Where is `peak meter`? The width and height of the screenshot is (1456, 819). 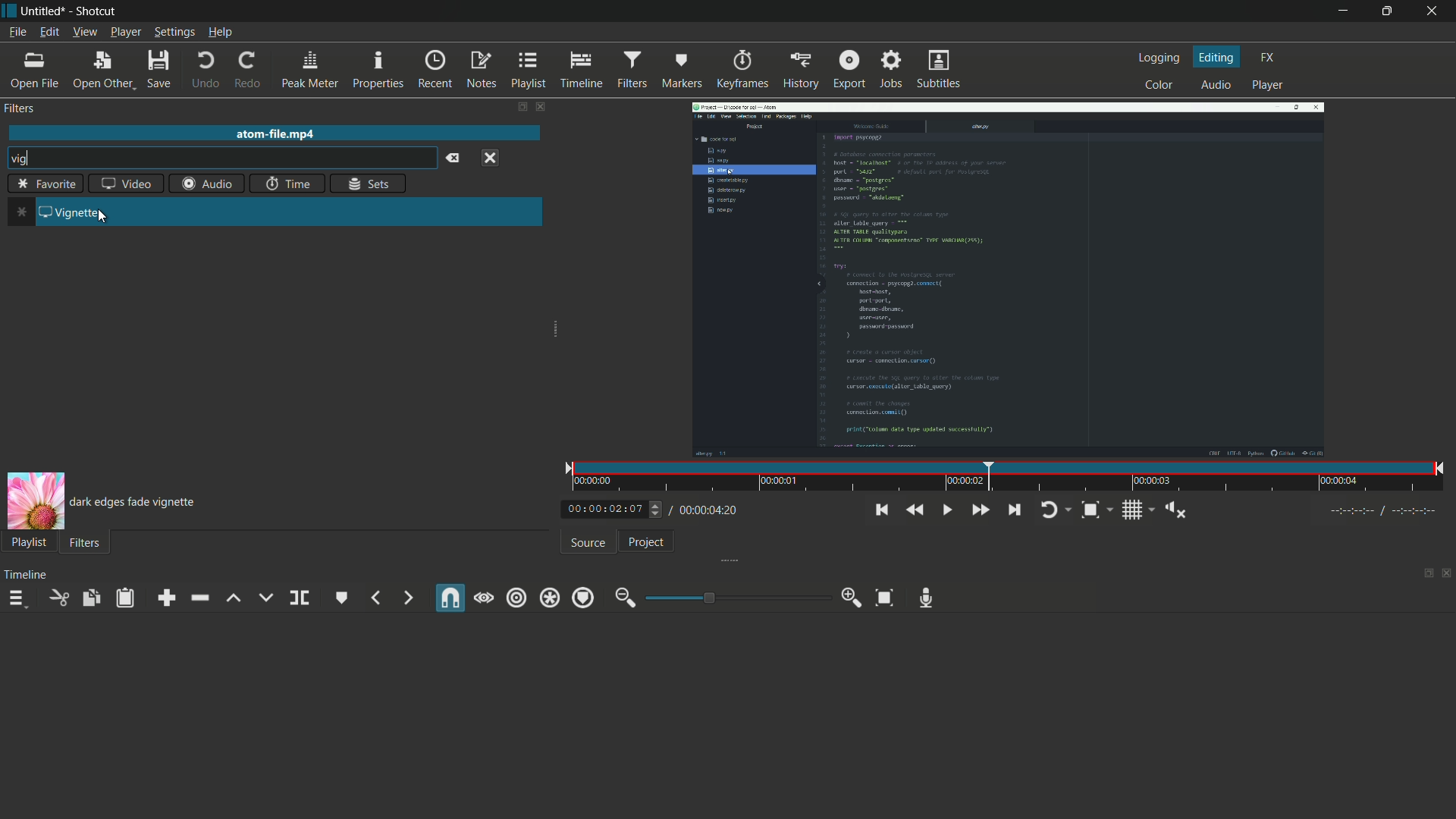
peak meter is located at coordinates (309, 71).